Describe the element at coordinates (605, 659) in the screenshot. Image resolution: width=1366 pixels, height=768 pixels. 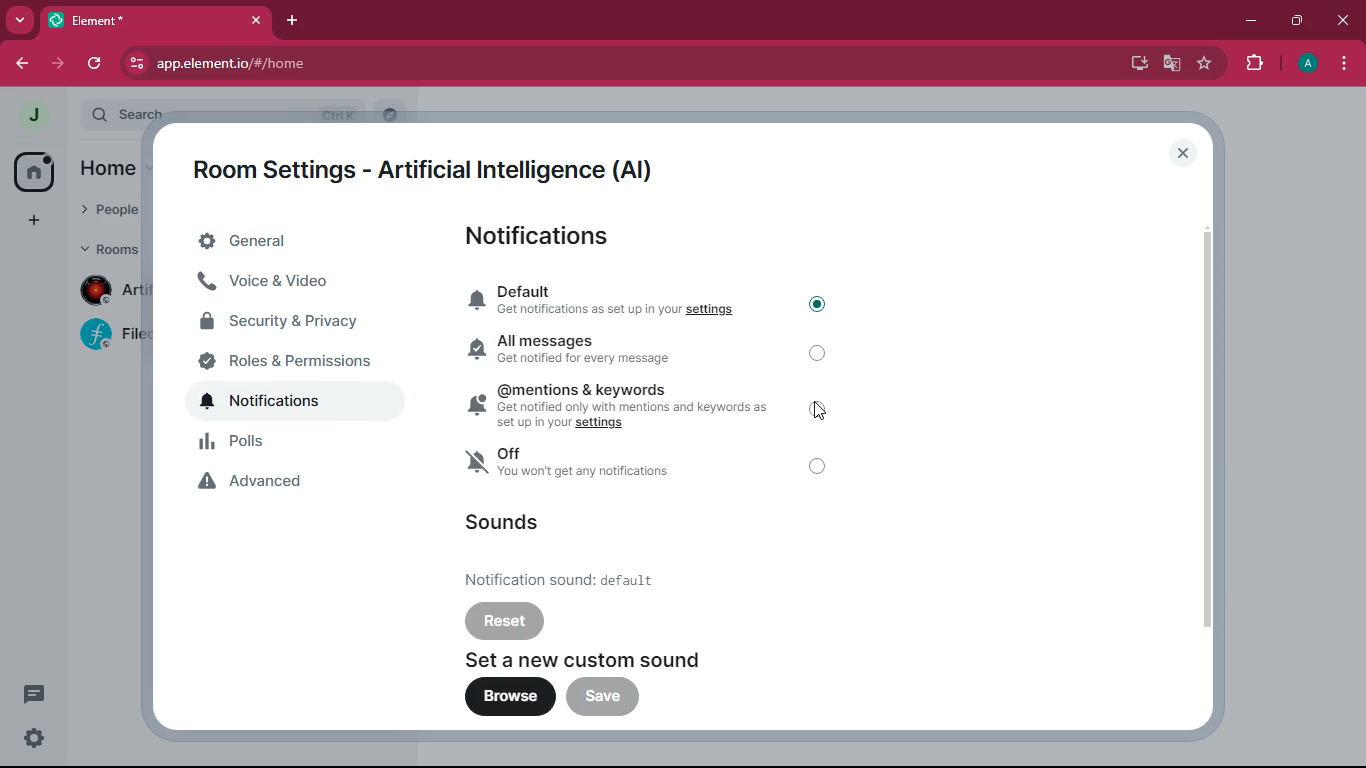
I see `set a new custom sound` at that location.